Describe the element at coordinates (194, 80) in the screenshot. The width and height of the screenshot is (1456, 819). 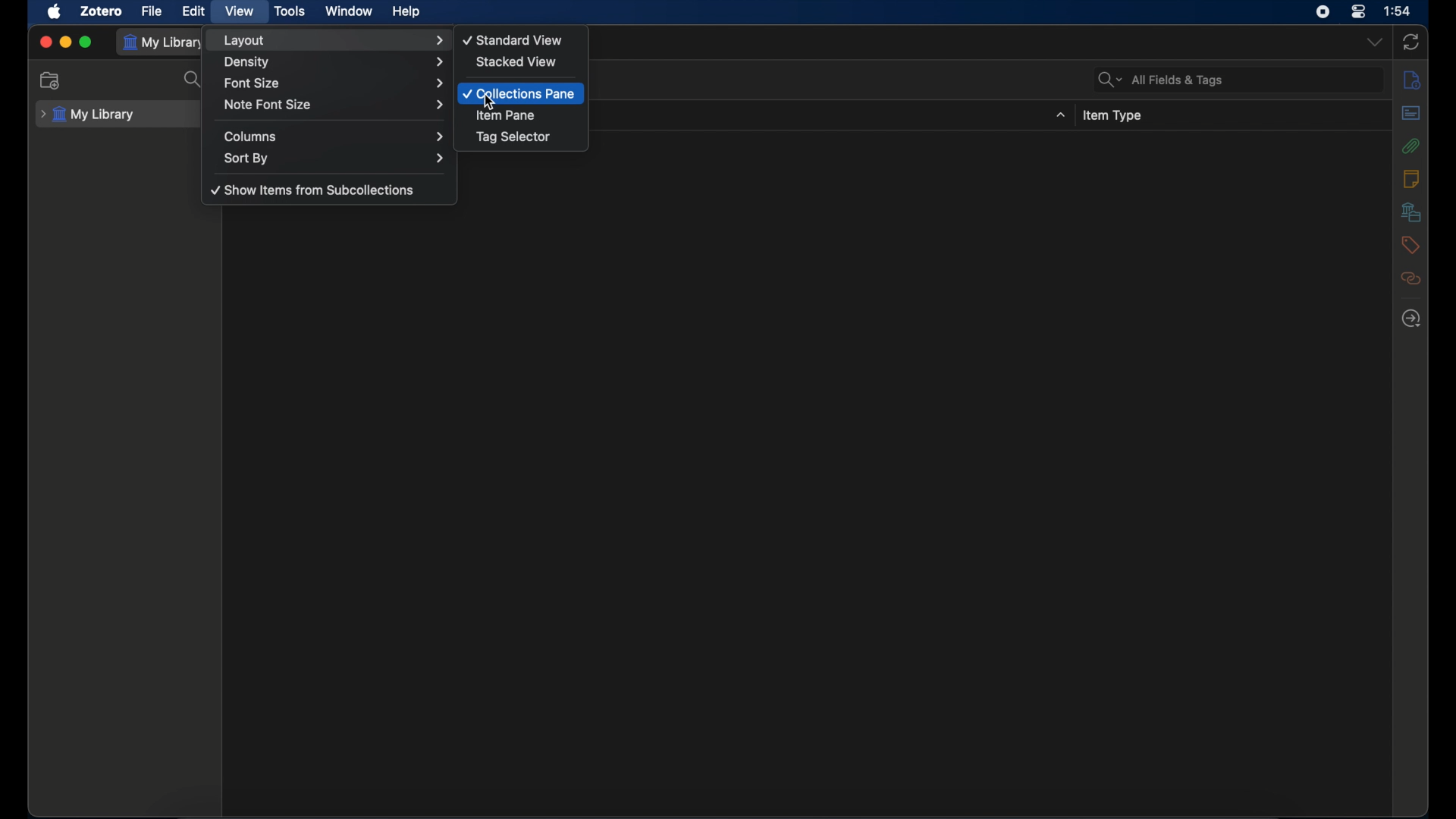
I see `search` at that location.